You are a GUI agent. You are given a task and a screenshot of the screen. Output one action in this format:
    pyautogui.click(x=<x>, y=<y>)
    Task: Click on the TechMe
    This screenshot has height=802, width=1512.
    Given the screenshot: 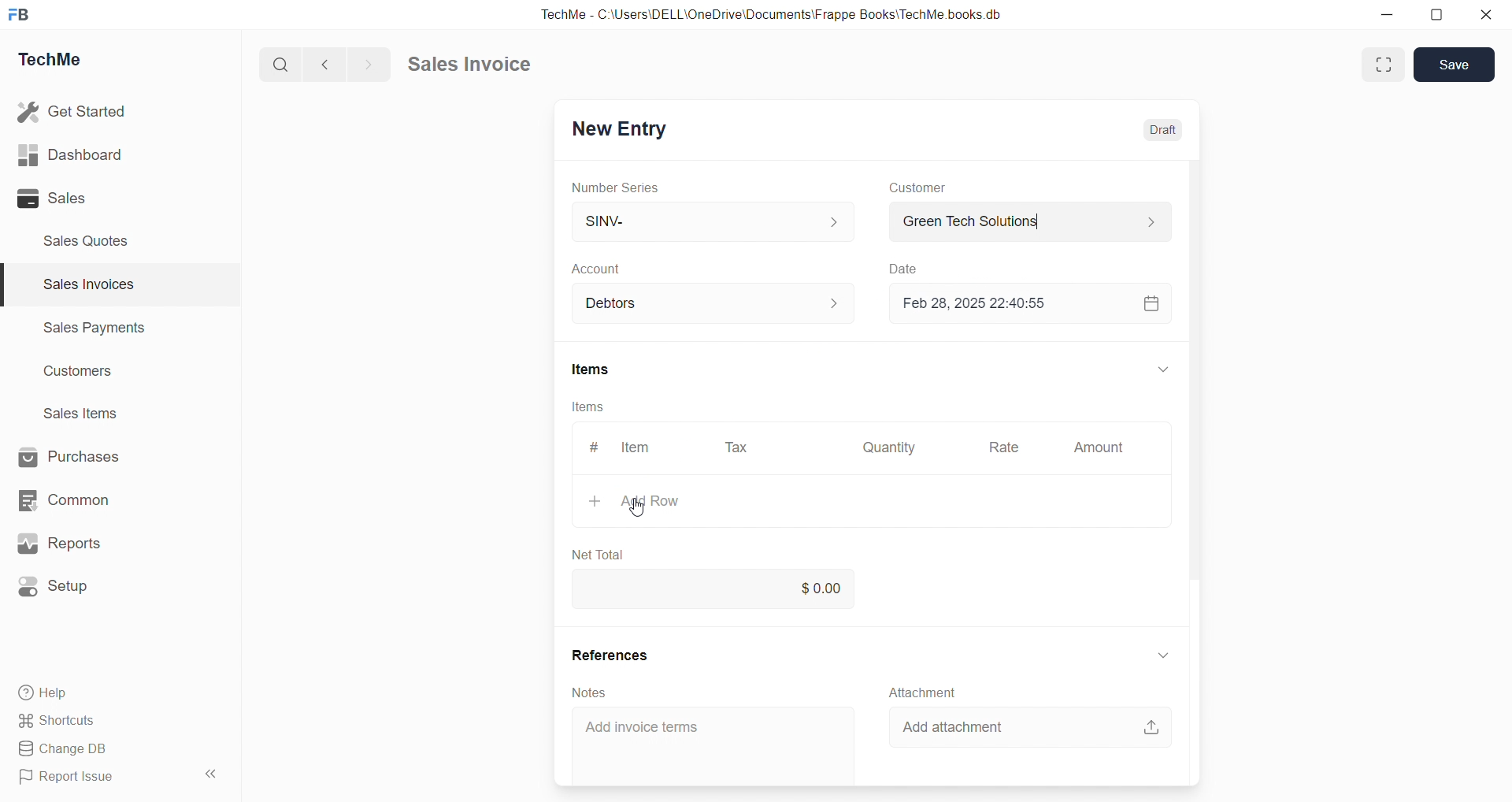 What is the action you would take?
    pyautogui.click(x=50, y=60)
    